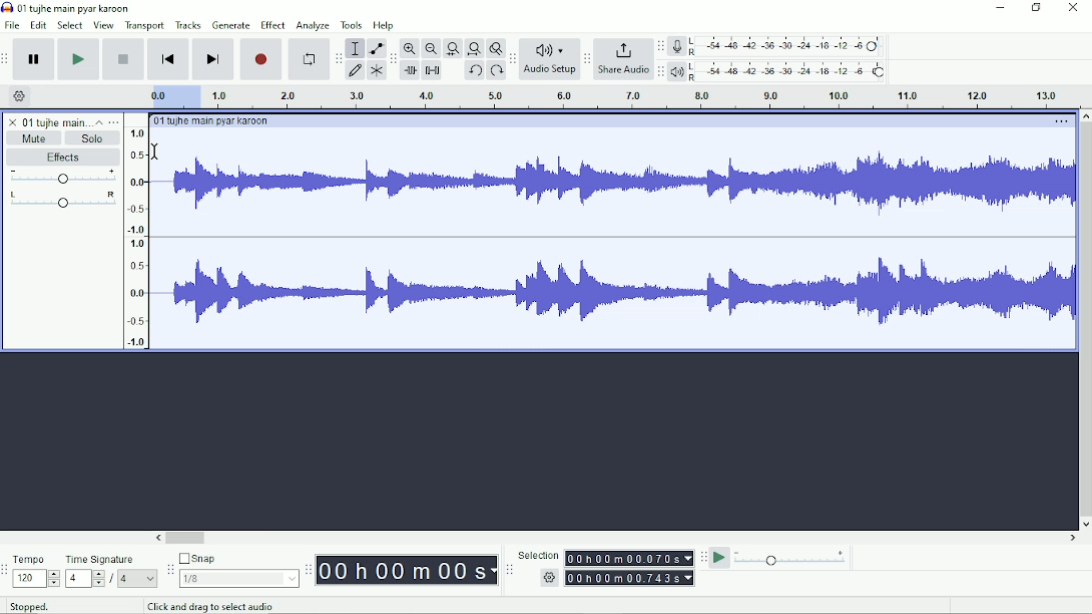 The image size is (1092, 614). What do you see at coordinates (62, 201) in the screenshot?
I see `Pan` at bounding box center [62, 201].